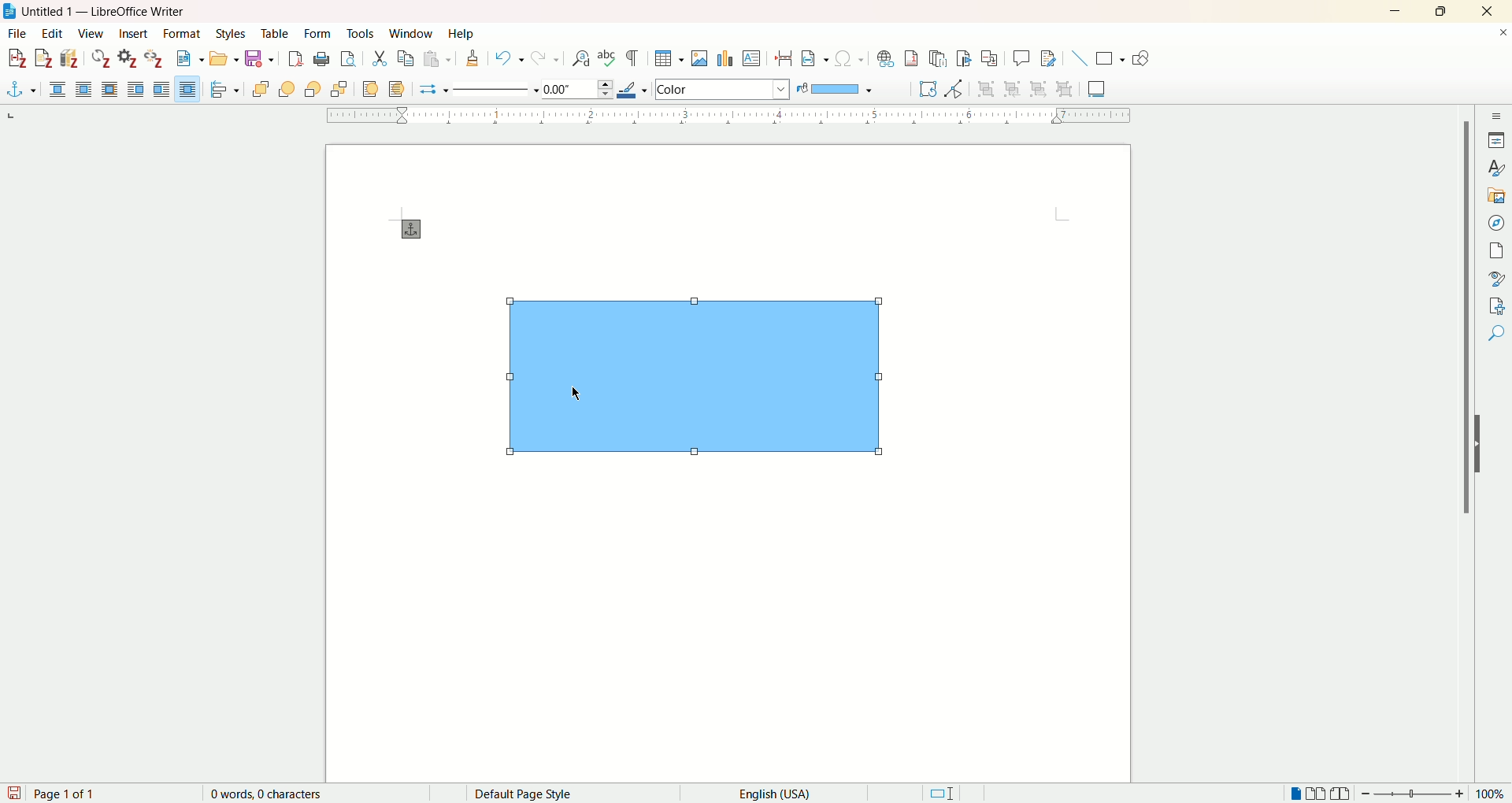 The width and height of the screenshot is (1512, 803). What do you see at coordinates (342, 90) in the screenshot?
I see `send to back` at bounding box center [342, 90].